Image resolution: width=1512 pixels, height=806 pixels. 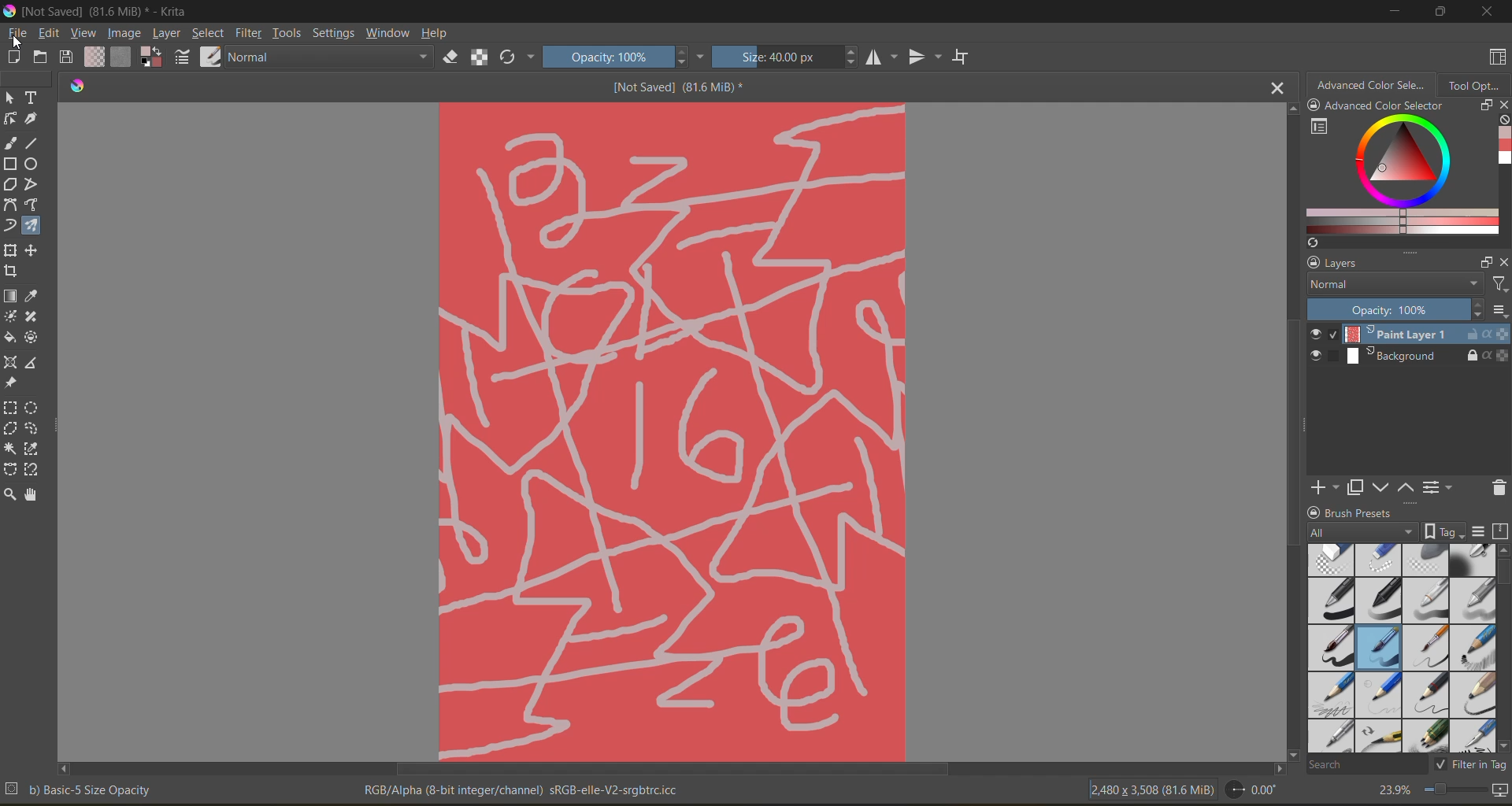 I want to click on file name and app name, so click(x=100, y=9).